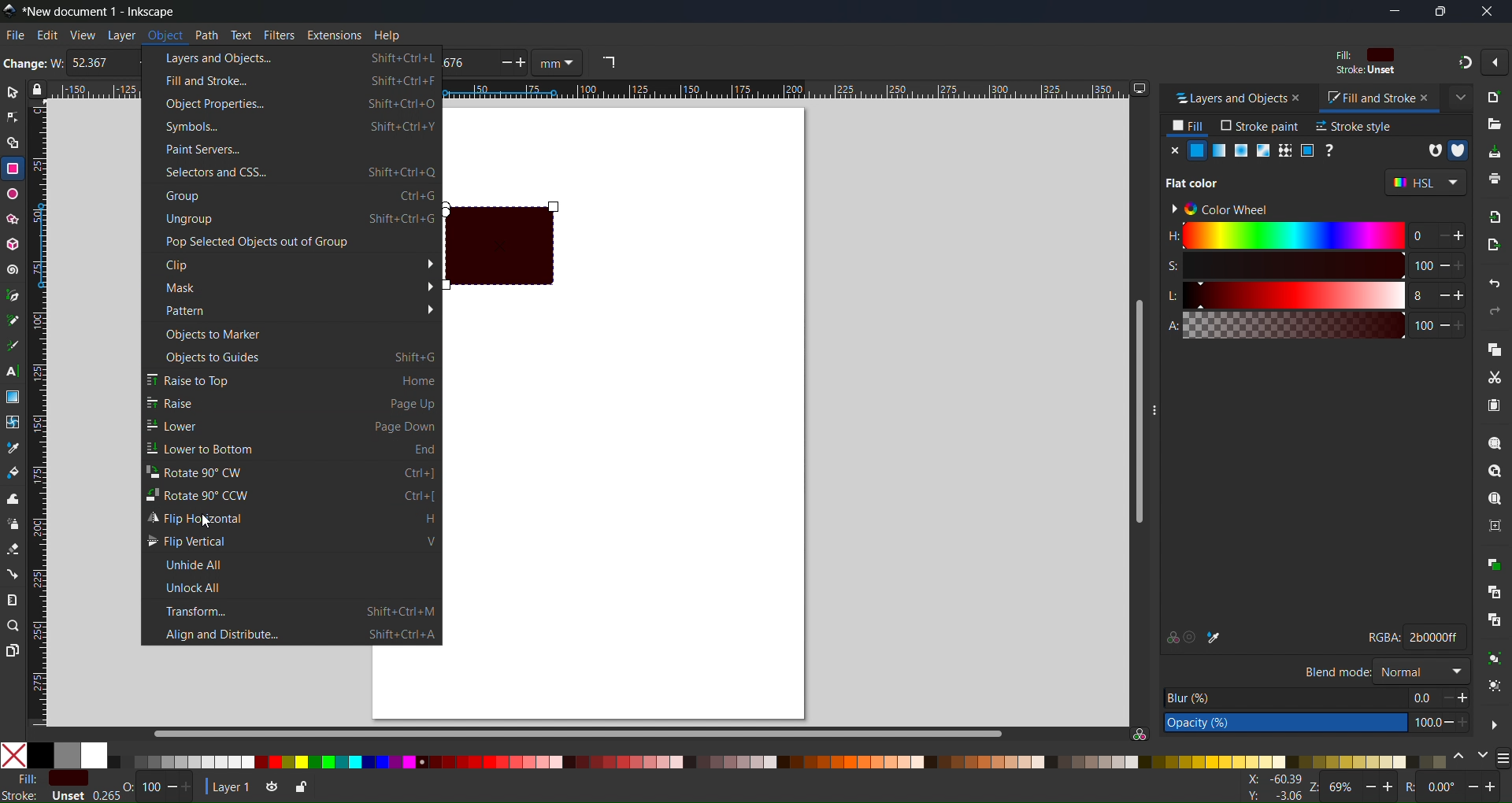 The width and height of the screenshot is (1512, 803). Describe the element at coordinates (13, 372) in the screenshot. I see `Text tool` at that location.